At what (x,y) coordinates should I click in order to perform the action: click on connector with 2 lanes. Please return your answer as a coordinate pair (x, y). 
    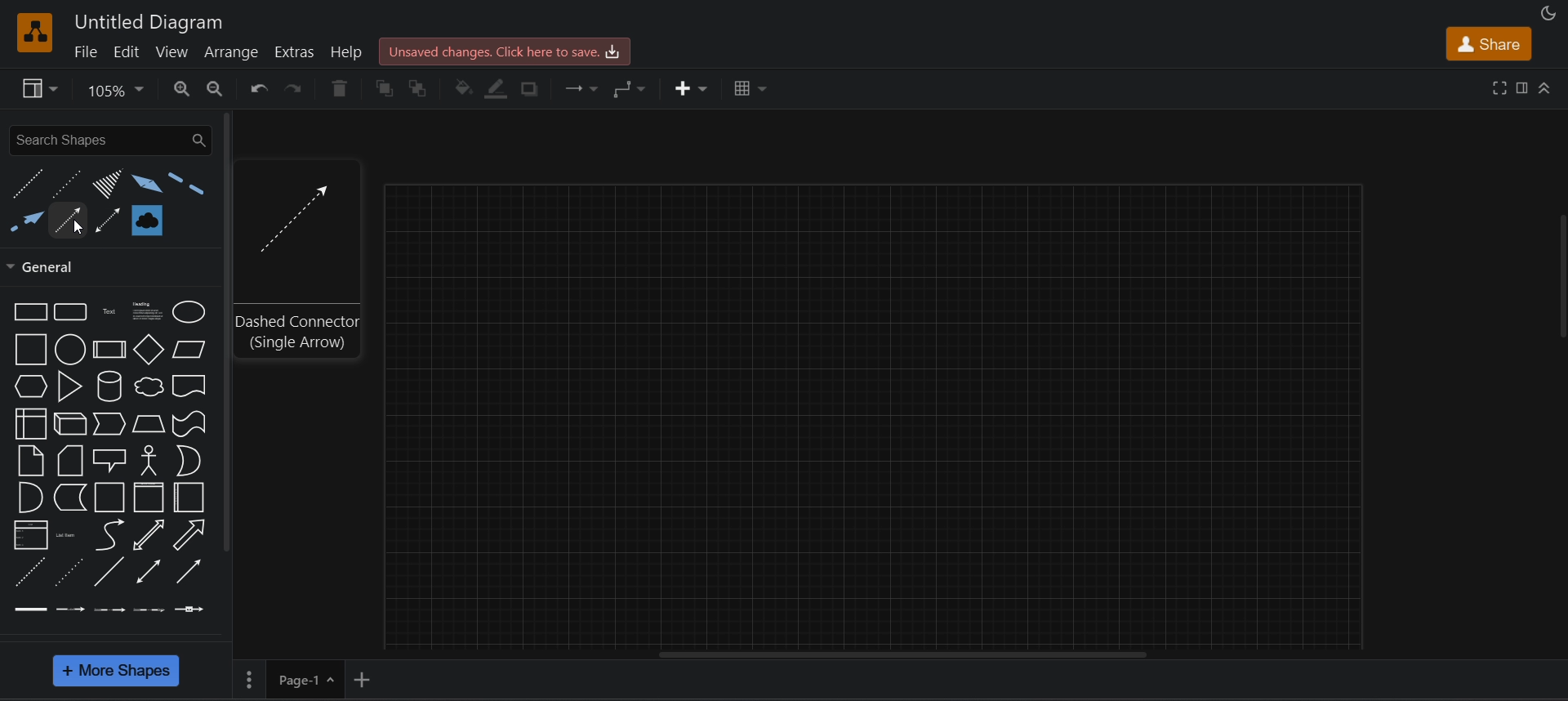
    Looking at the image, I should click on (108, 609).